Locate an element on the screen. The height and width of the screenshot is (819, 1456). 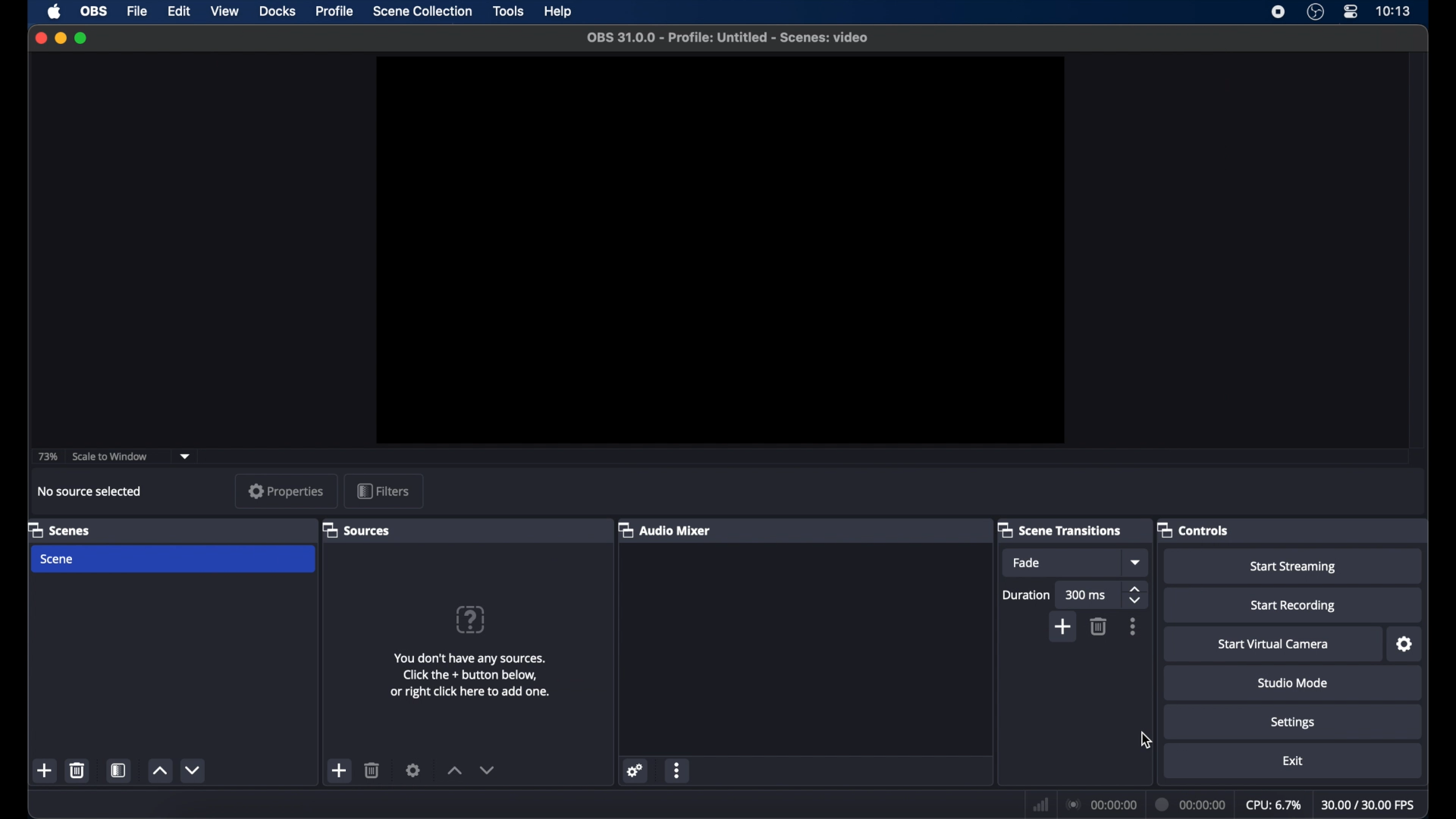
close is located at coordinates (41, 38).